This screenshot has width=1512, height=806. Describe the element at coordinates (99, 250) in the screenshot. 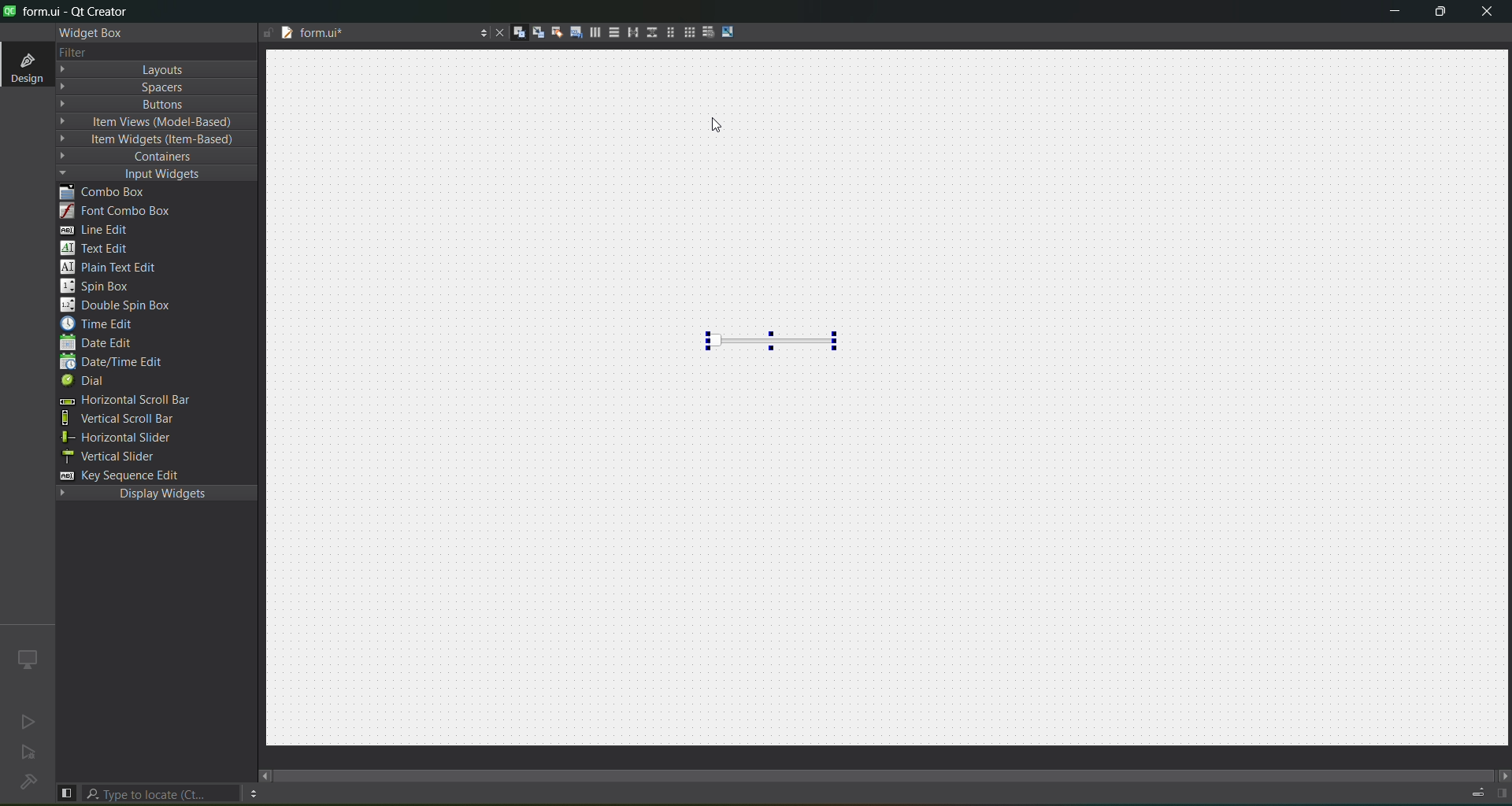

I see `text edit` at that location.